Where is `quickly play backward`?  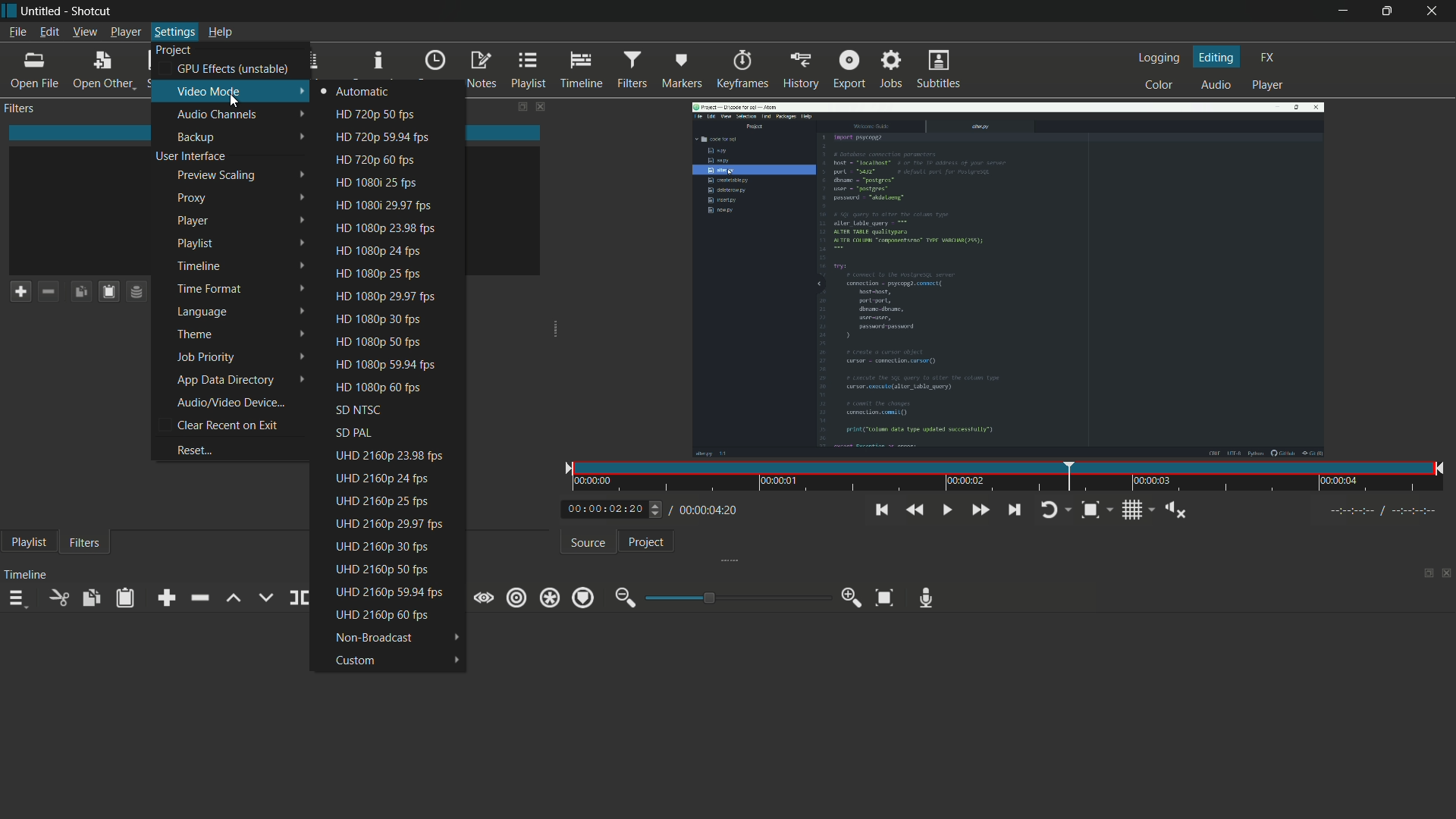 quickly play backward is located at coordinates (916, 510).